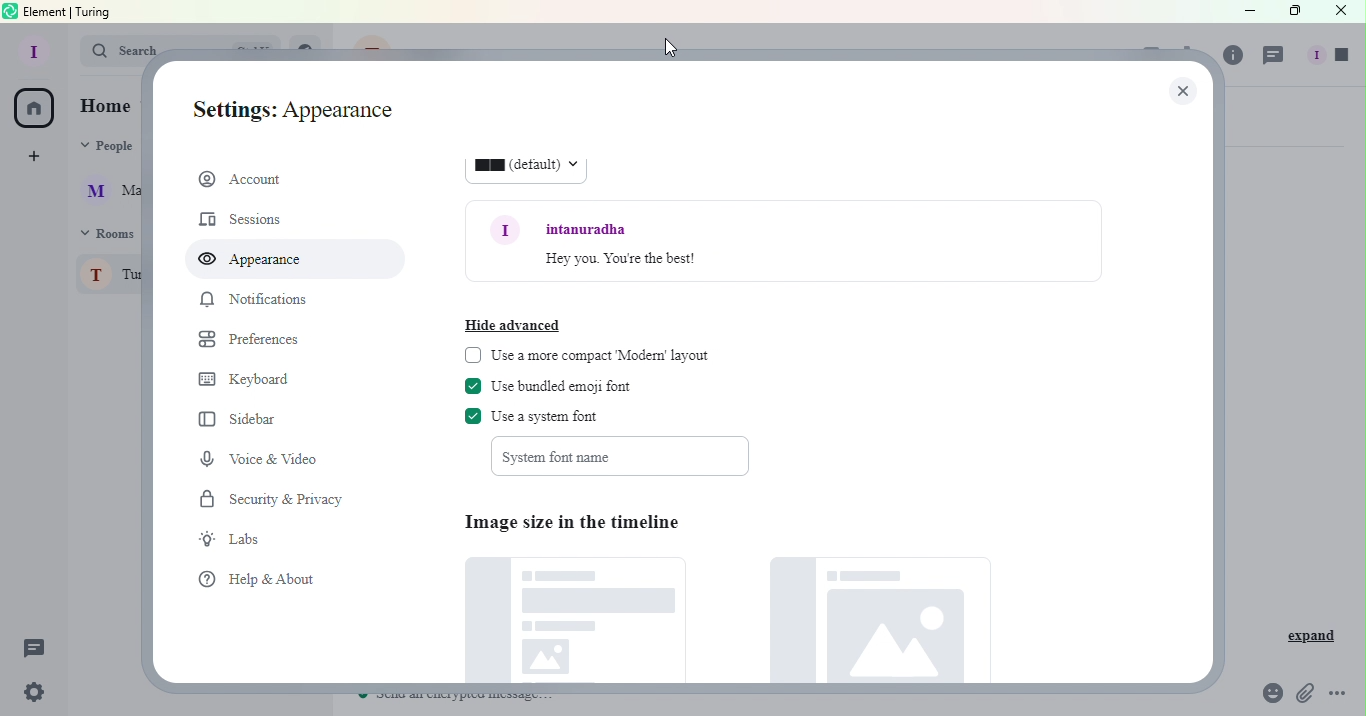  I want to click on System, so click(619, 456).